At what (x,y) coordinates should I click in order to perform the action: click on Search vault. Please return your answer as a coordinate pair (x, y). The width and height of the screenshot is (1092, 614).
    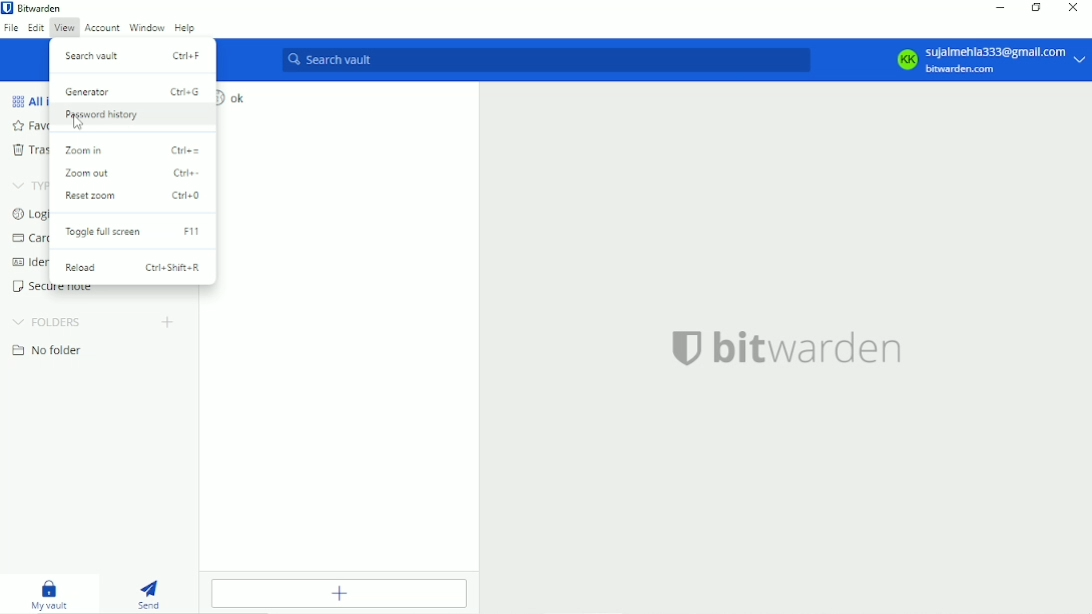
    Looking at the image, I should click on (547, 60).